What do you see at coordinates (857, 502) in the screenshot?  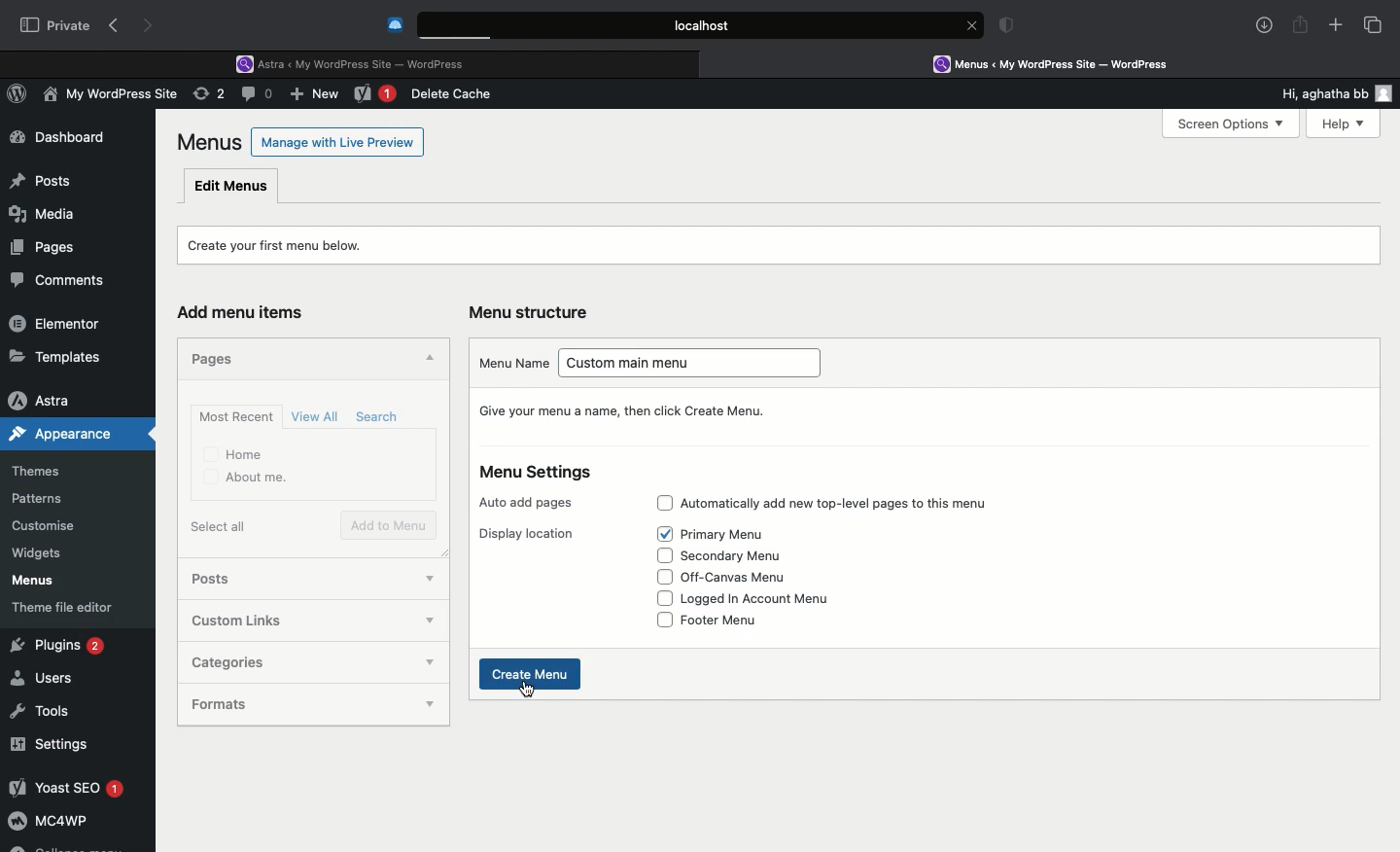 I see `Automatically add new top-level pages to this menu` at bounding box center [857, 502].